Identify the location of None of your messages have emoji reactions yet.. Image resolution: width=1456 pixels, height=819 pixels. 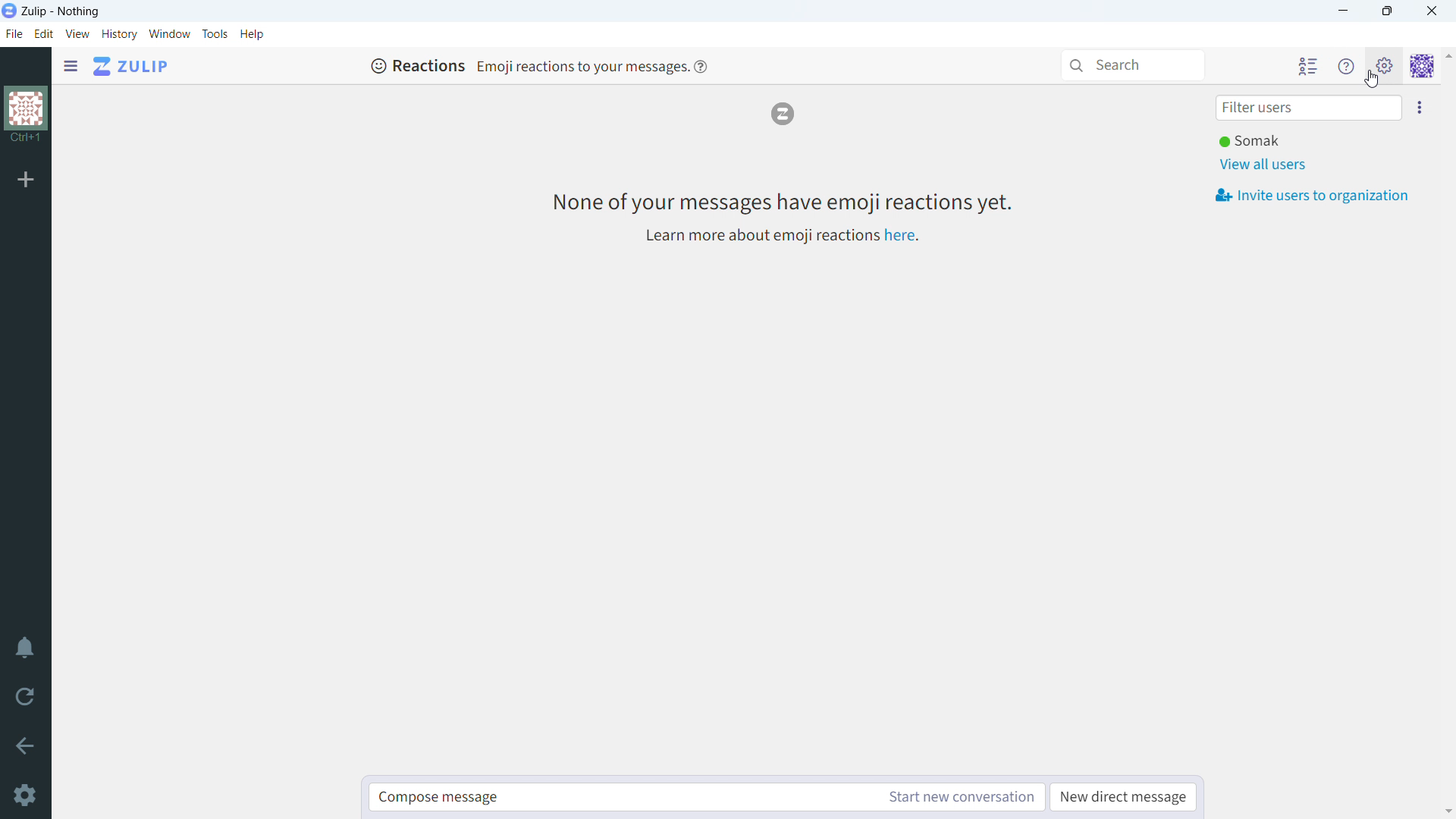
(780, 202).